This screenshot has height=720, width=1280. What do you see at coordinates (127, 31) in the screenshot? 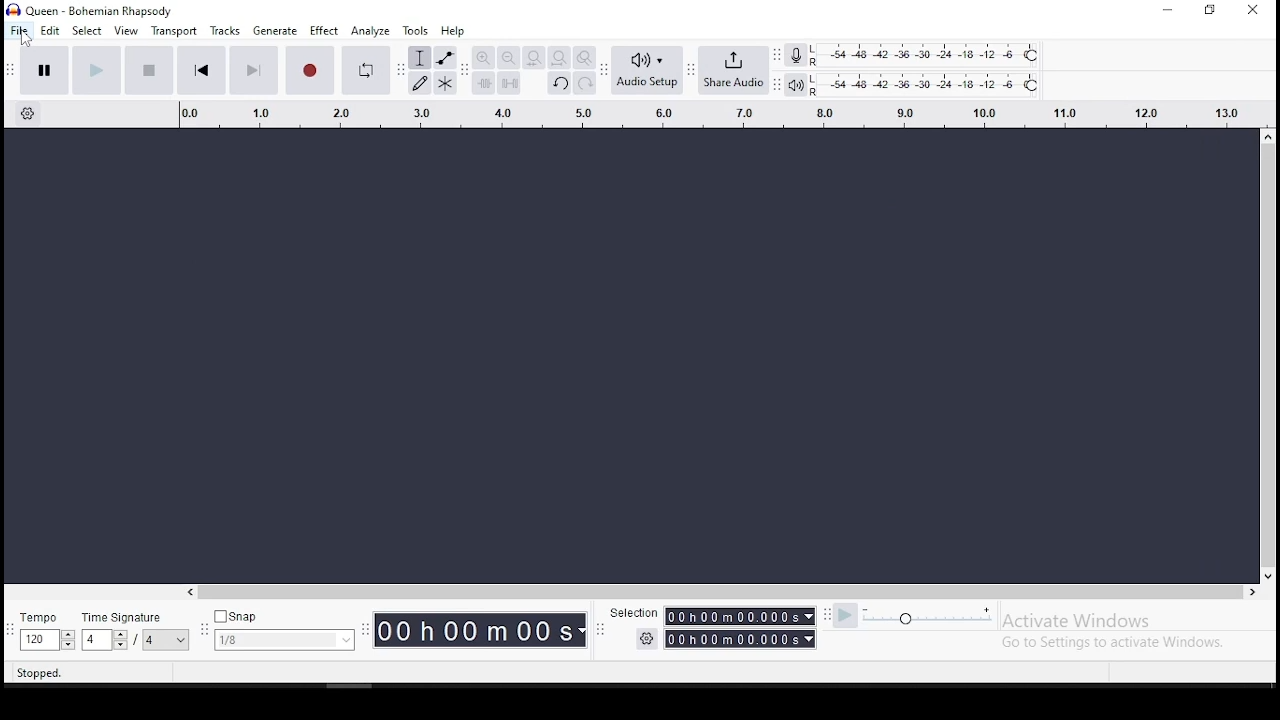
I see `view` at bounding box center [127, 31].